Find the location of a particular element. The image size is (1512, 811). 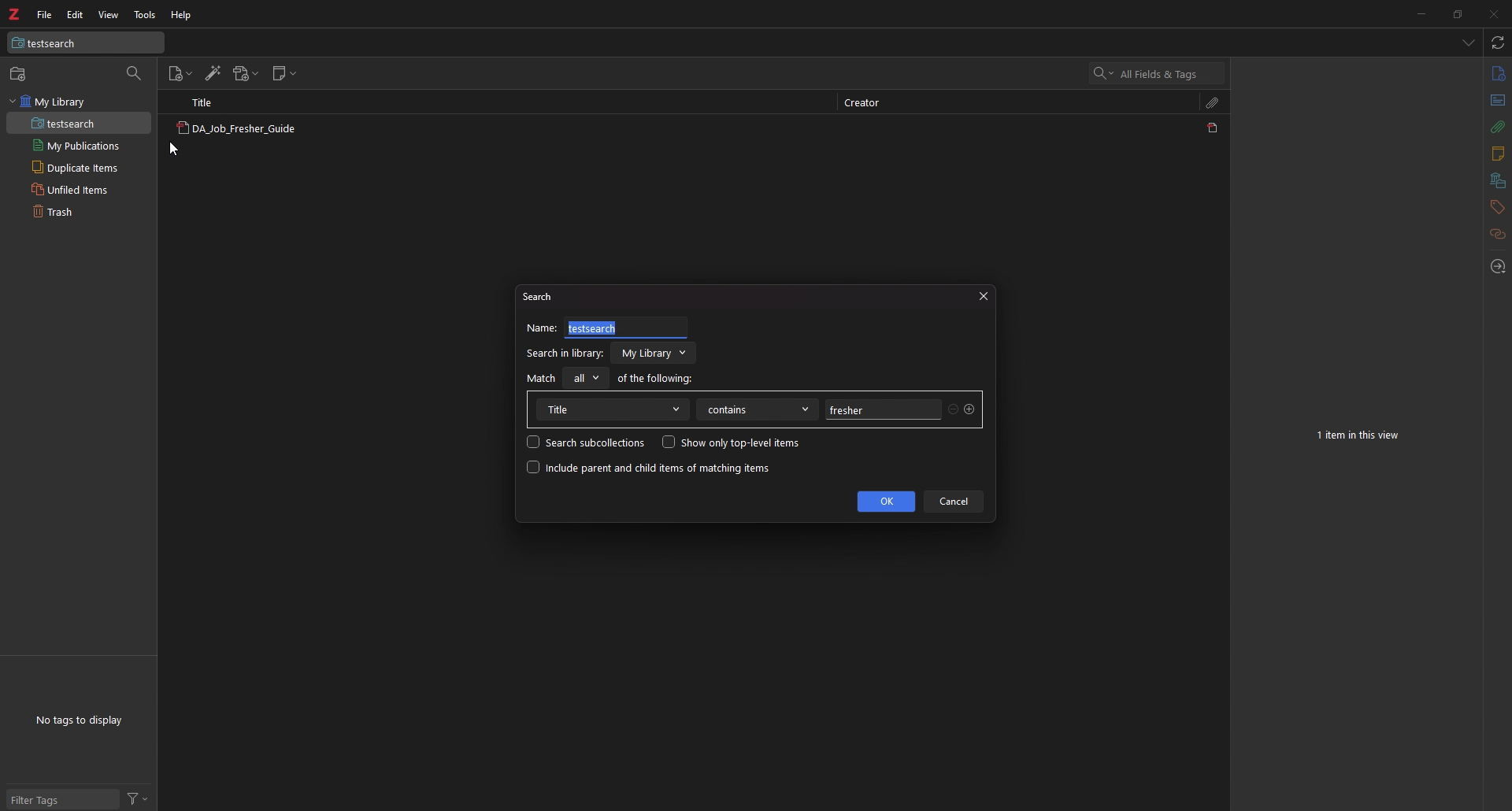

filter items is located at coordinates (135, 74).